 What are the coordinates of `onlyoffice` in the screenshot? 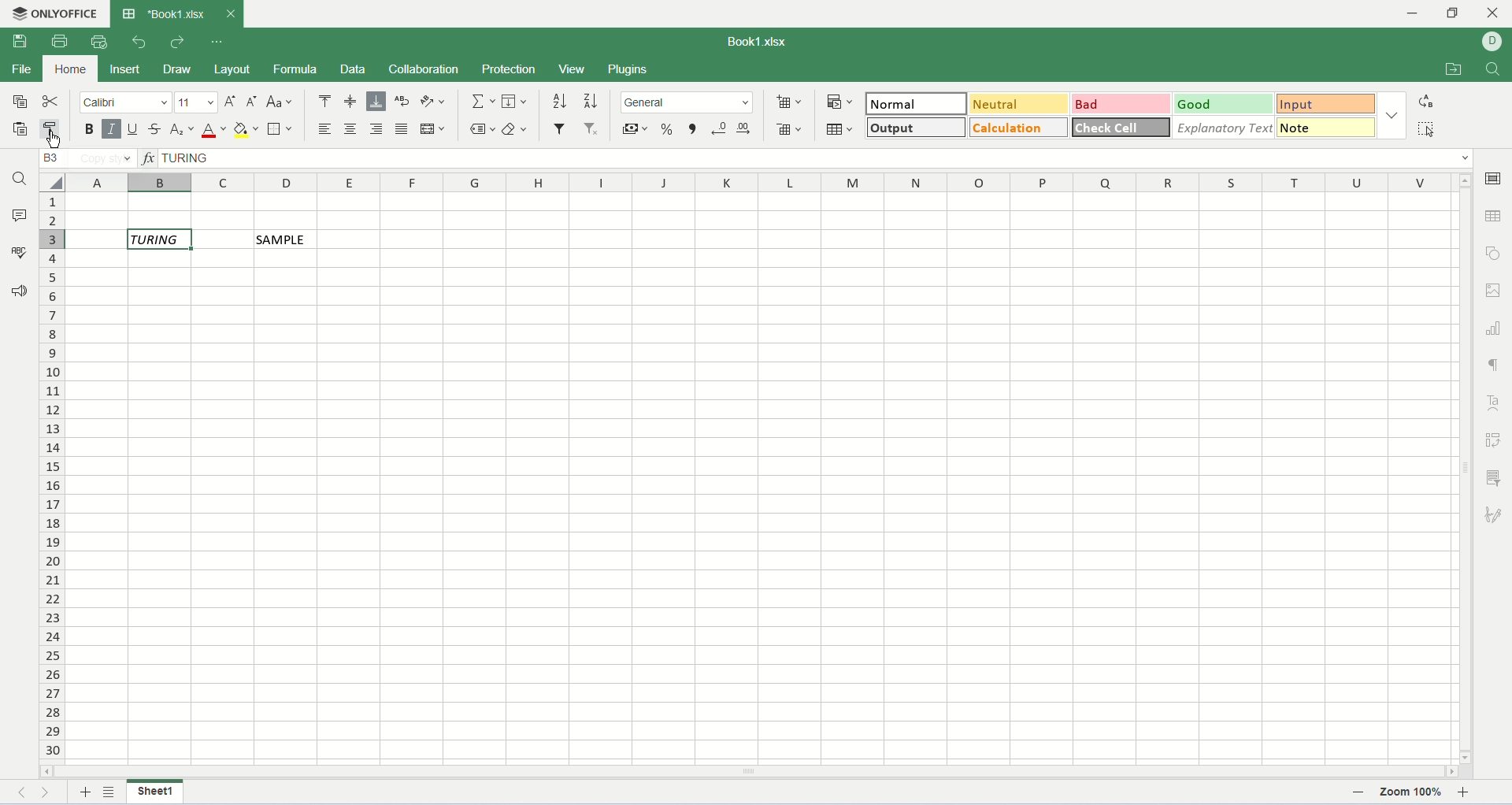 It's located at (52, 13).